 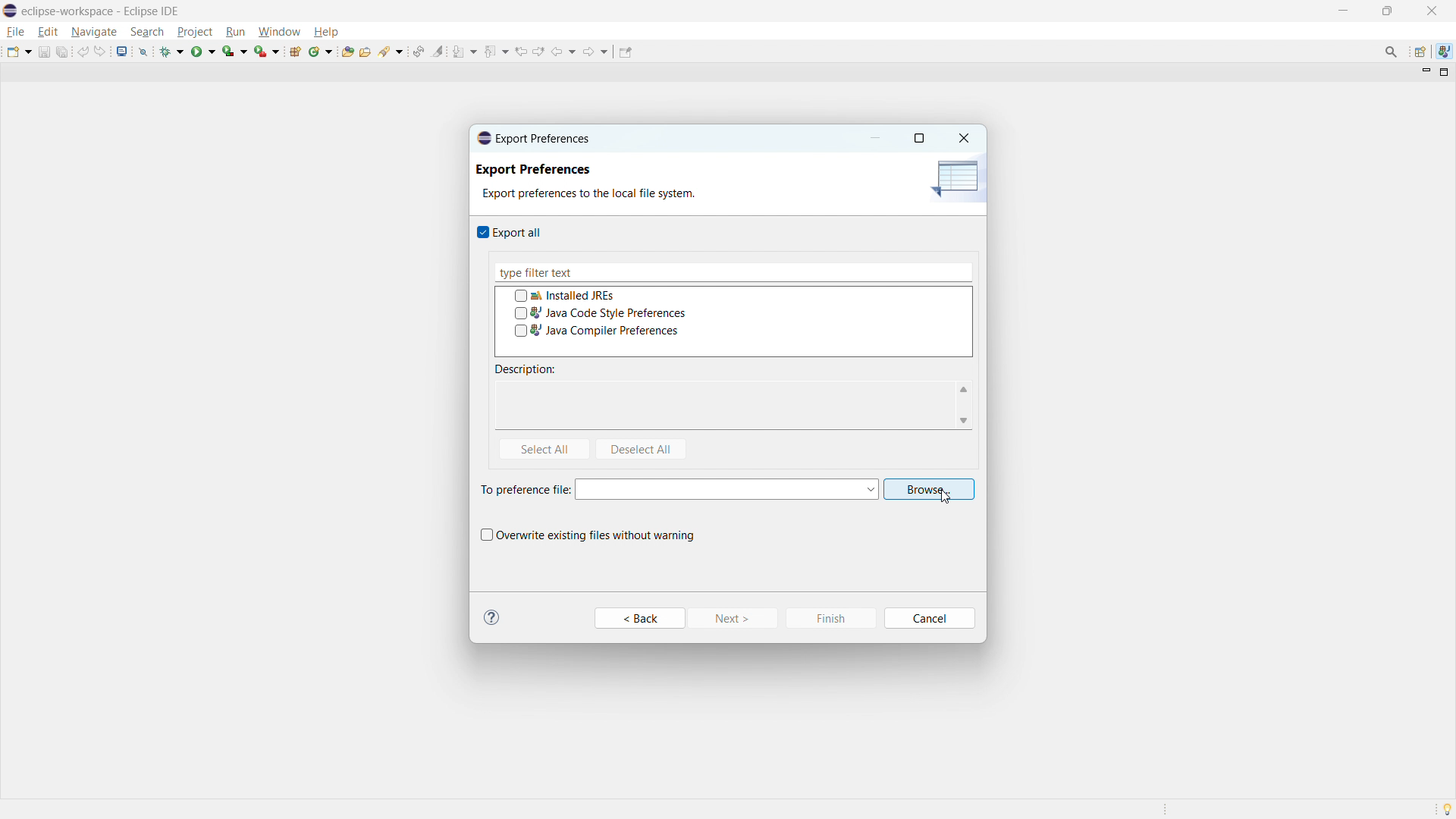 I want to click on Back, so click(x=638, y=619).